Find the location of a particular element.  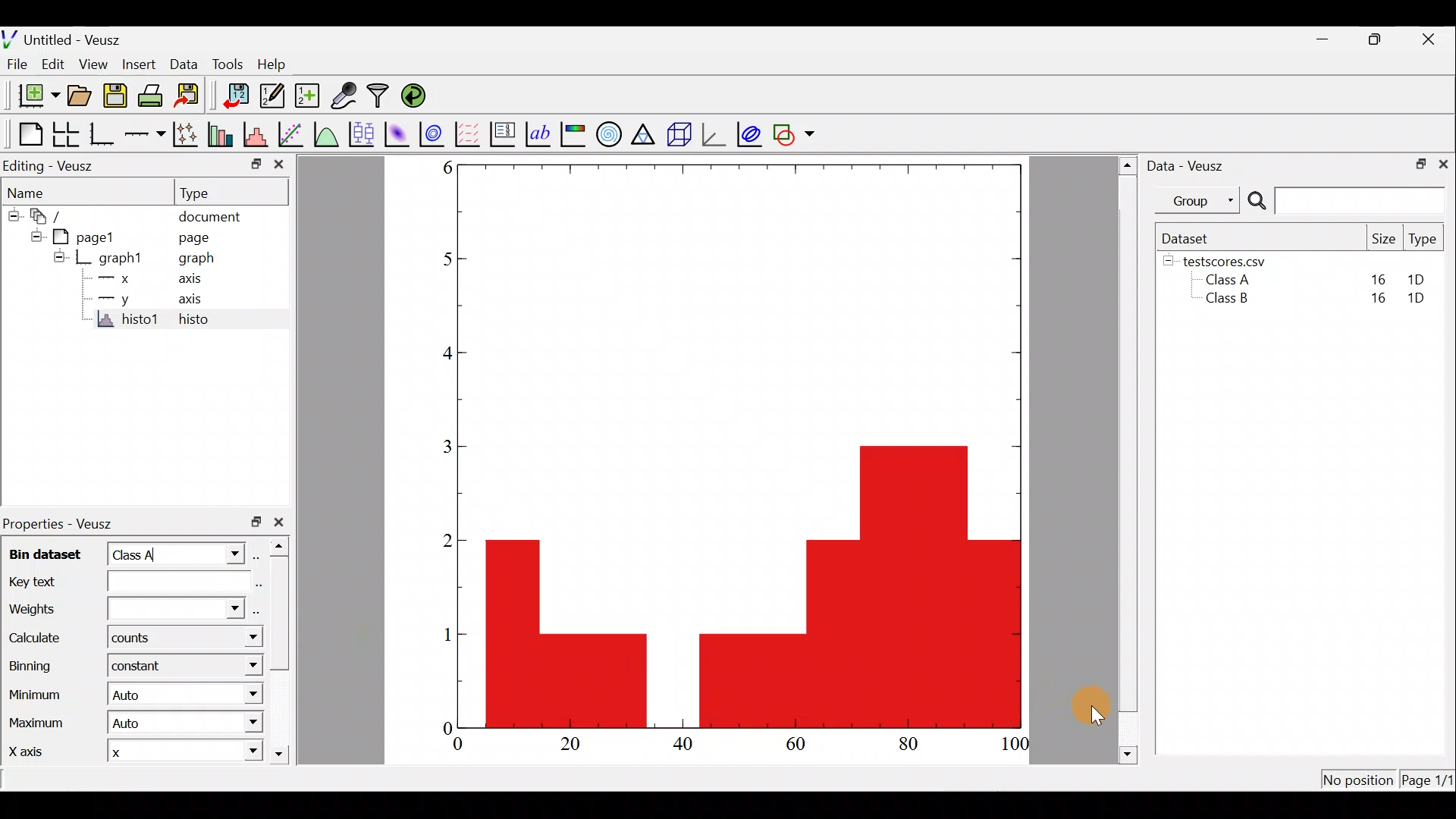

Histogram of a dataset is located at coordinates (258, 134).